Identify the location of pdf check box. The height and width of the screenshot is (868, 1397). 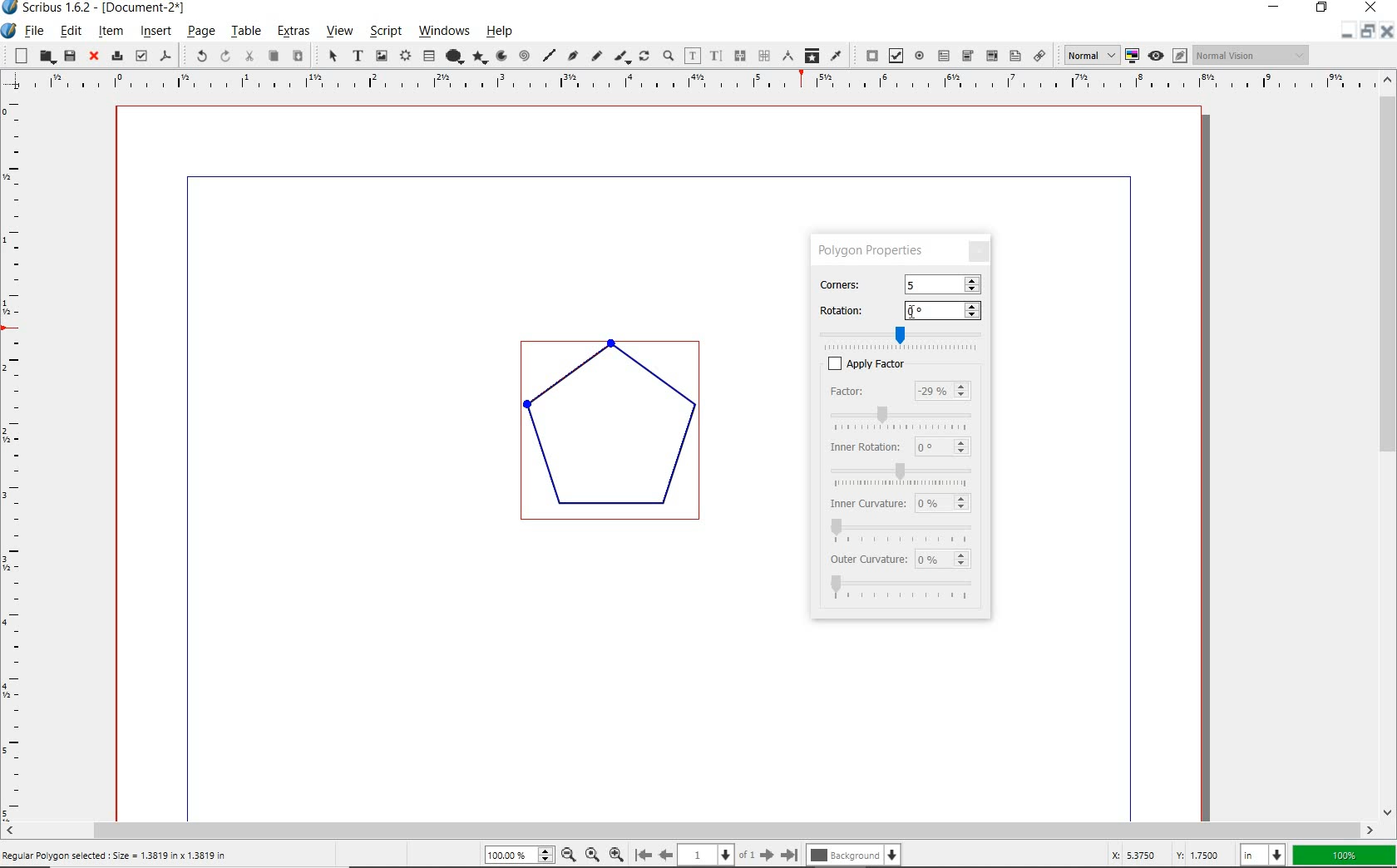
(894, 57).